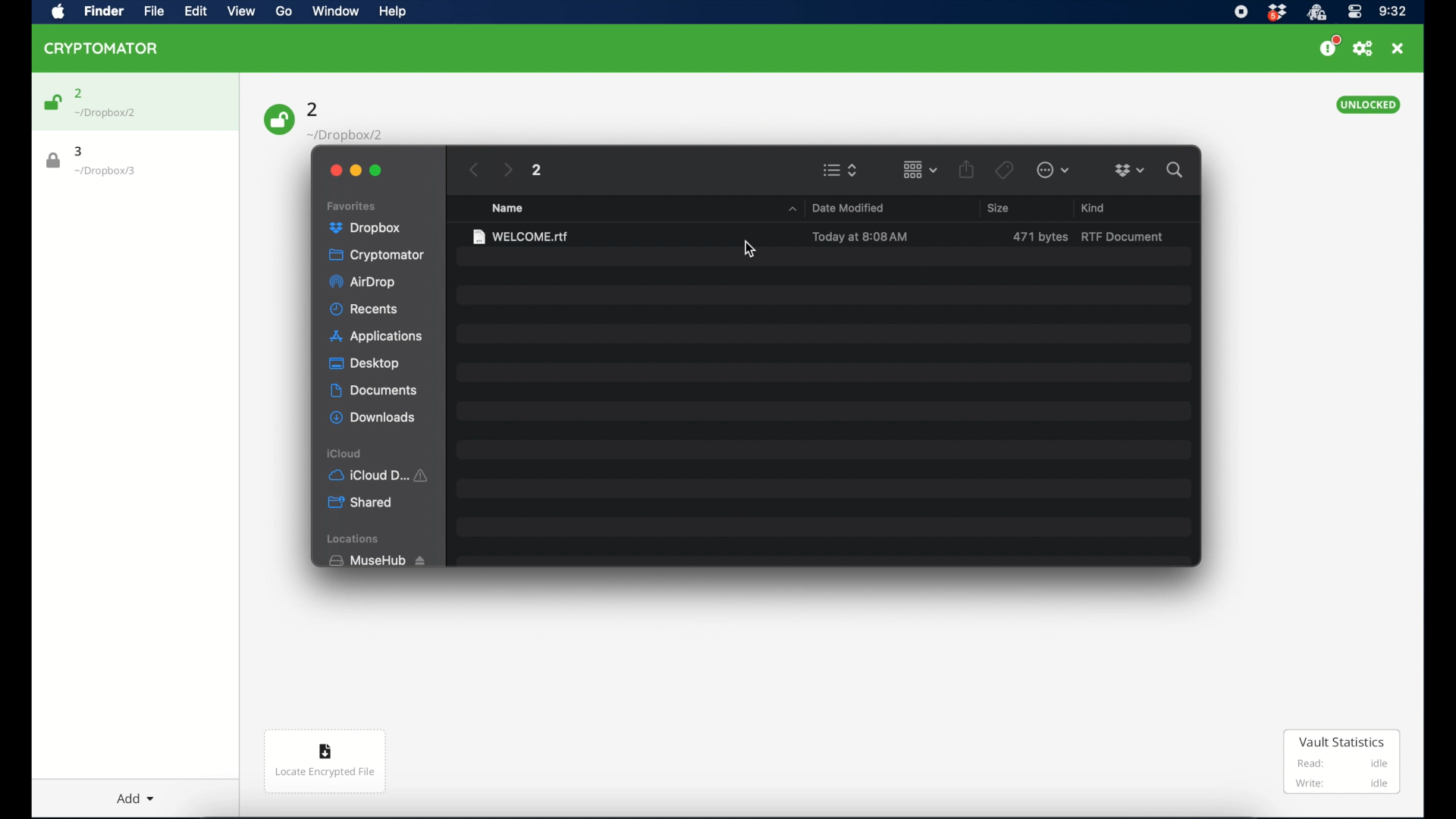 The height and width of the screenshot is (819, 1456). What do you see at coordinates (1399, 49) in the screenshot?
I see `close` at bounding box center [1399, 49].